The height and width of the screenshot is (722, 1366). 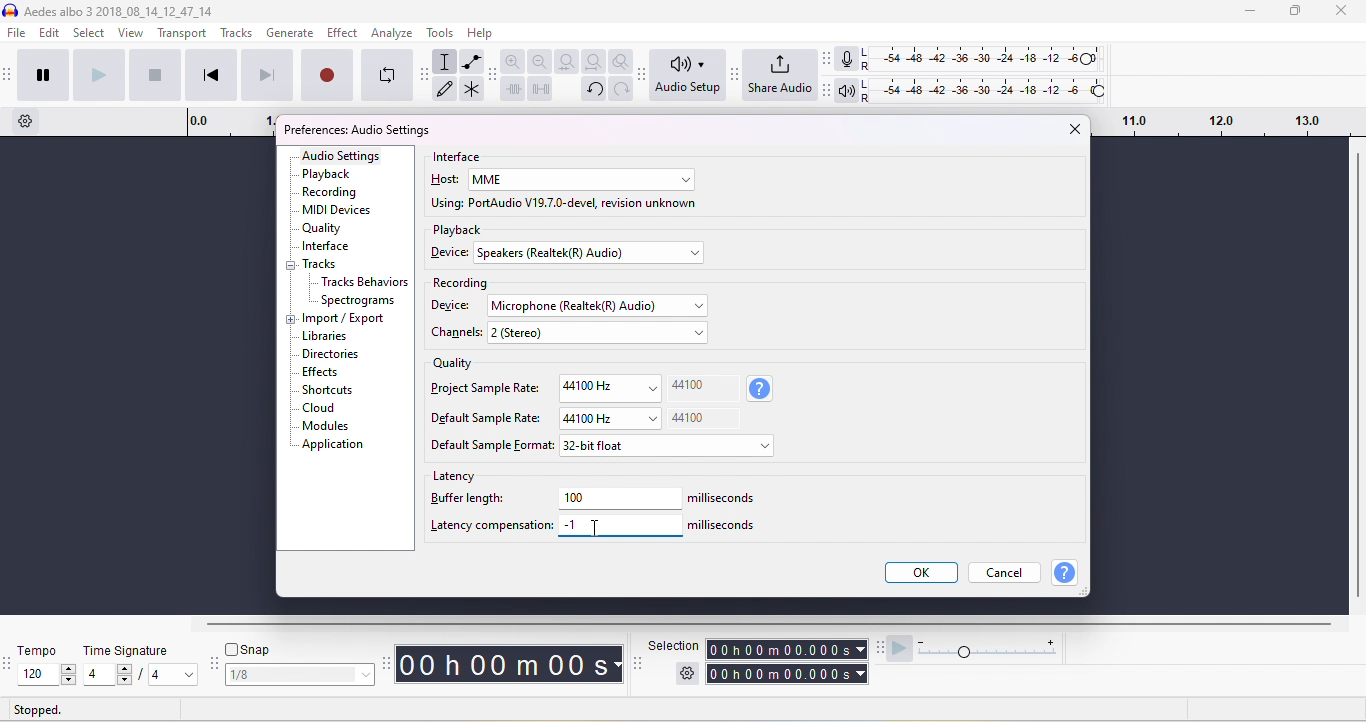 What do you see at coordinates (673, 646) in the screenshot?
I see `selection` at bounding box center [673, 646].